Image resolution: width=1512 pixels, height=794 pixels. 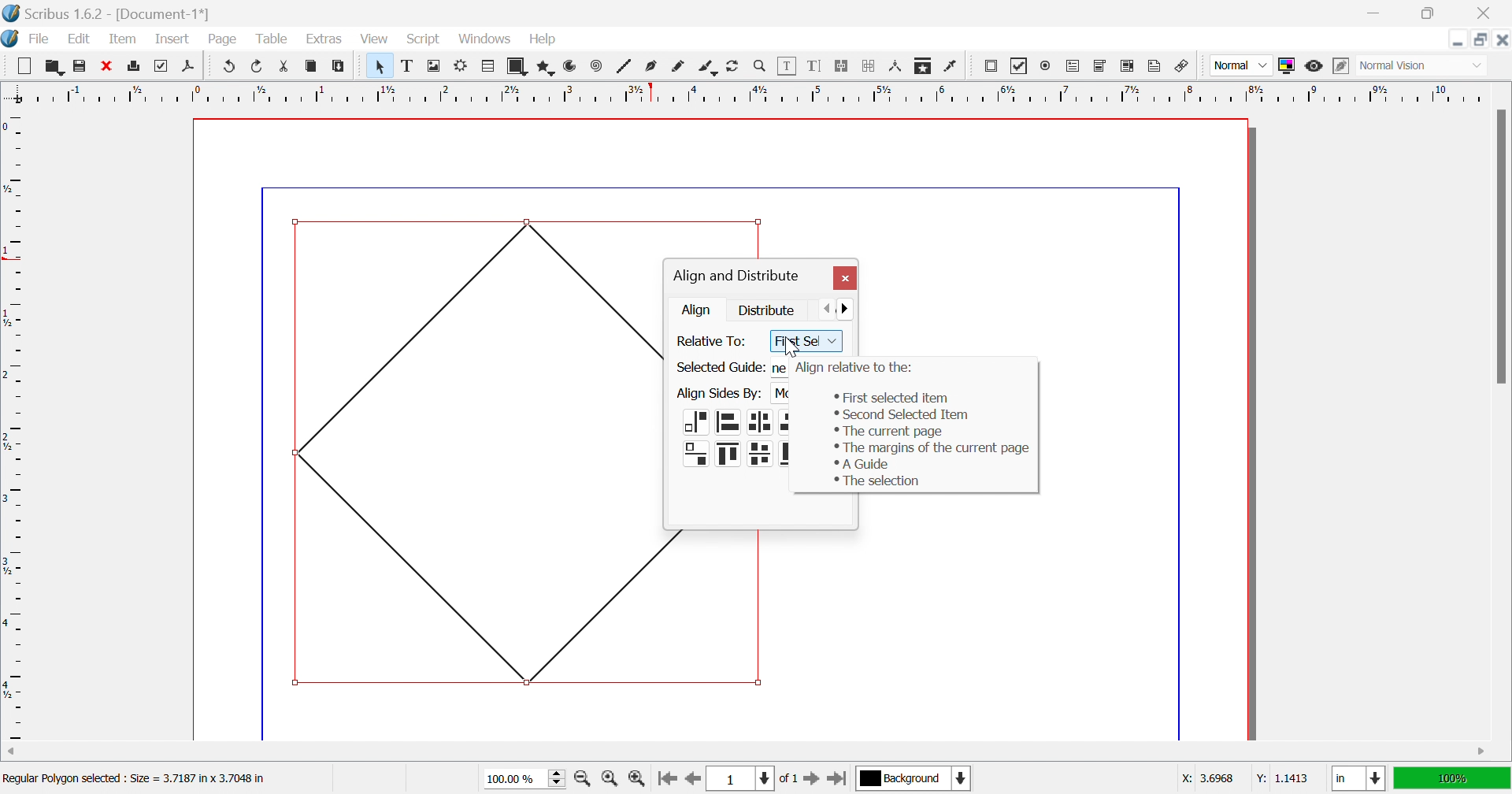 I want to click on Freehand line, so click(x=678, y=67).